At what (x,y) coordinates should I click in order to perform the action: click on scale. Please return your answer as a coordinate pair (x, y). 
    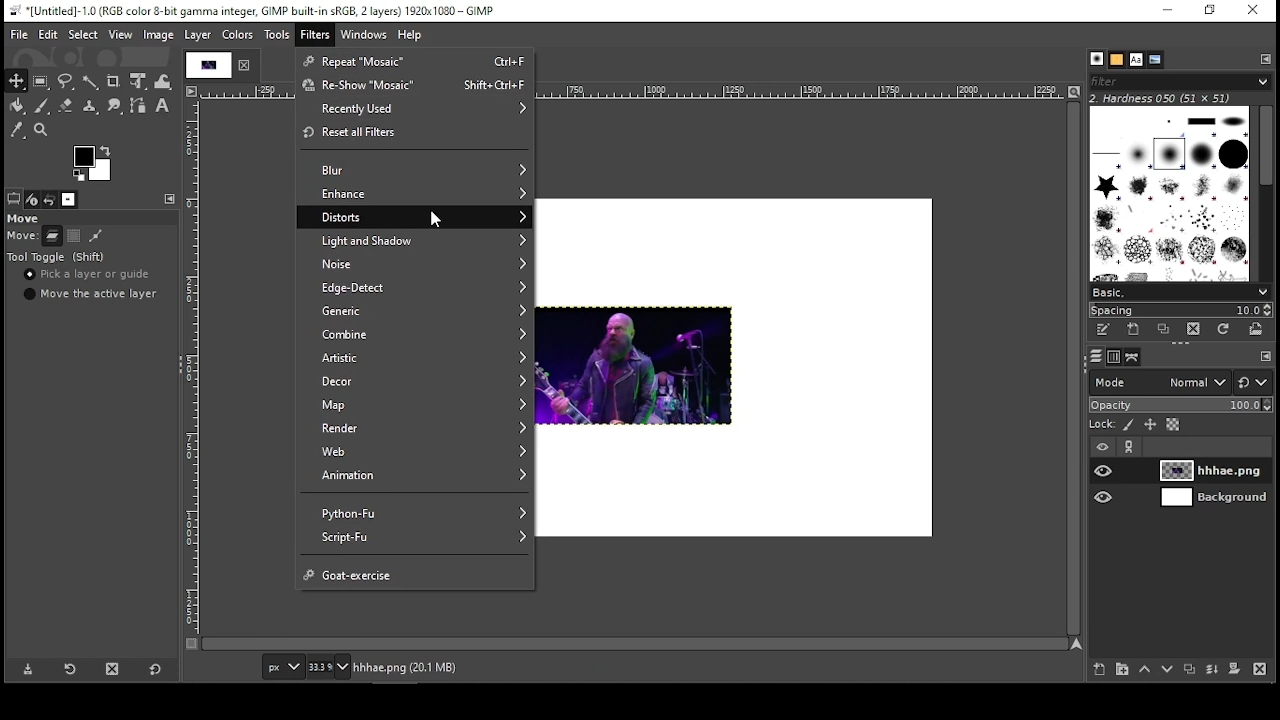
    Looking at the image, I should click on (811, 91).